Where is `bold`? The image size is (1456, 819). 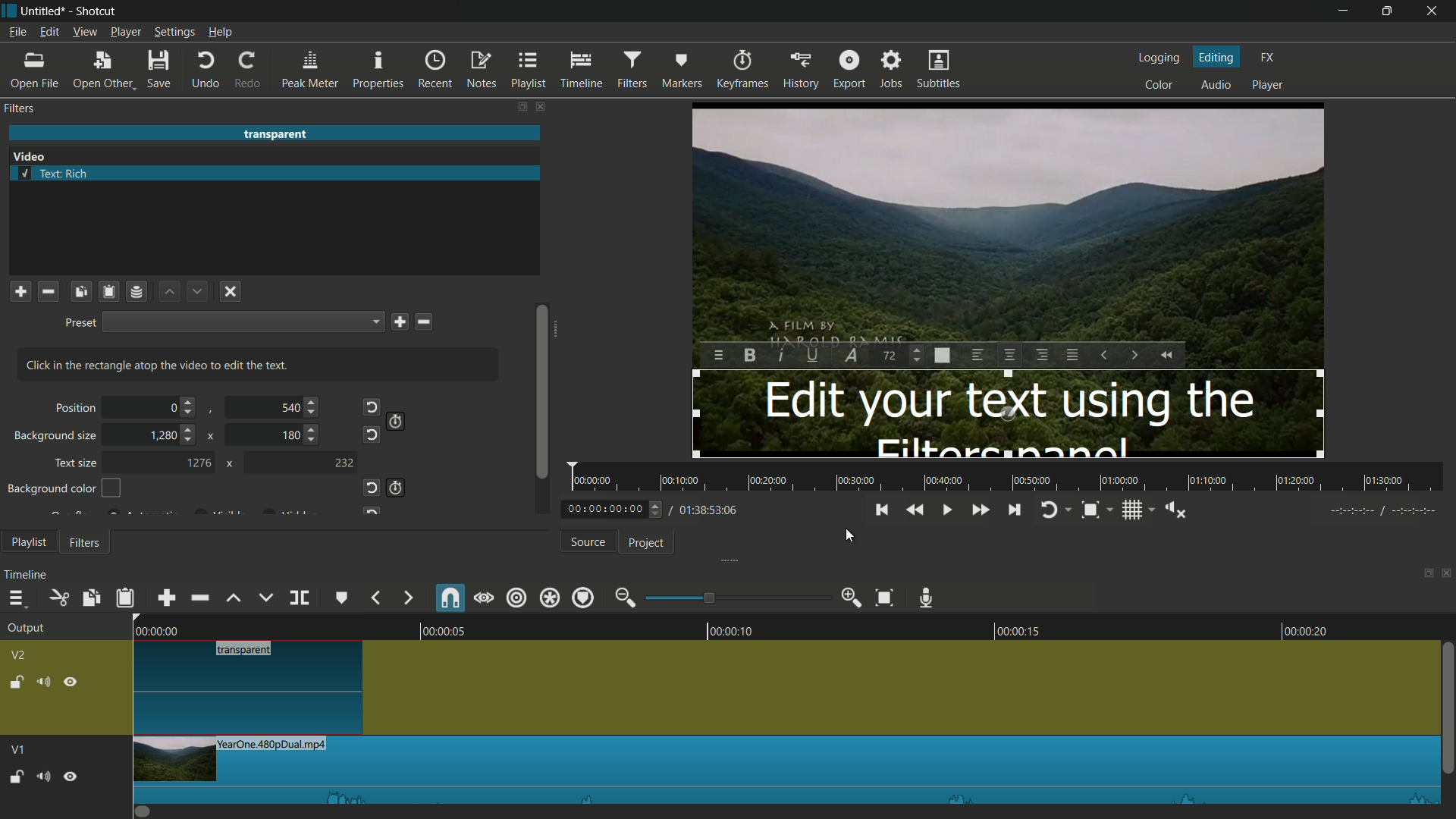
bold is located at coordinates (749, 355).